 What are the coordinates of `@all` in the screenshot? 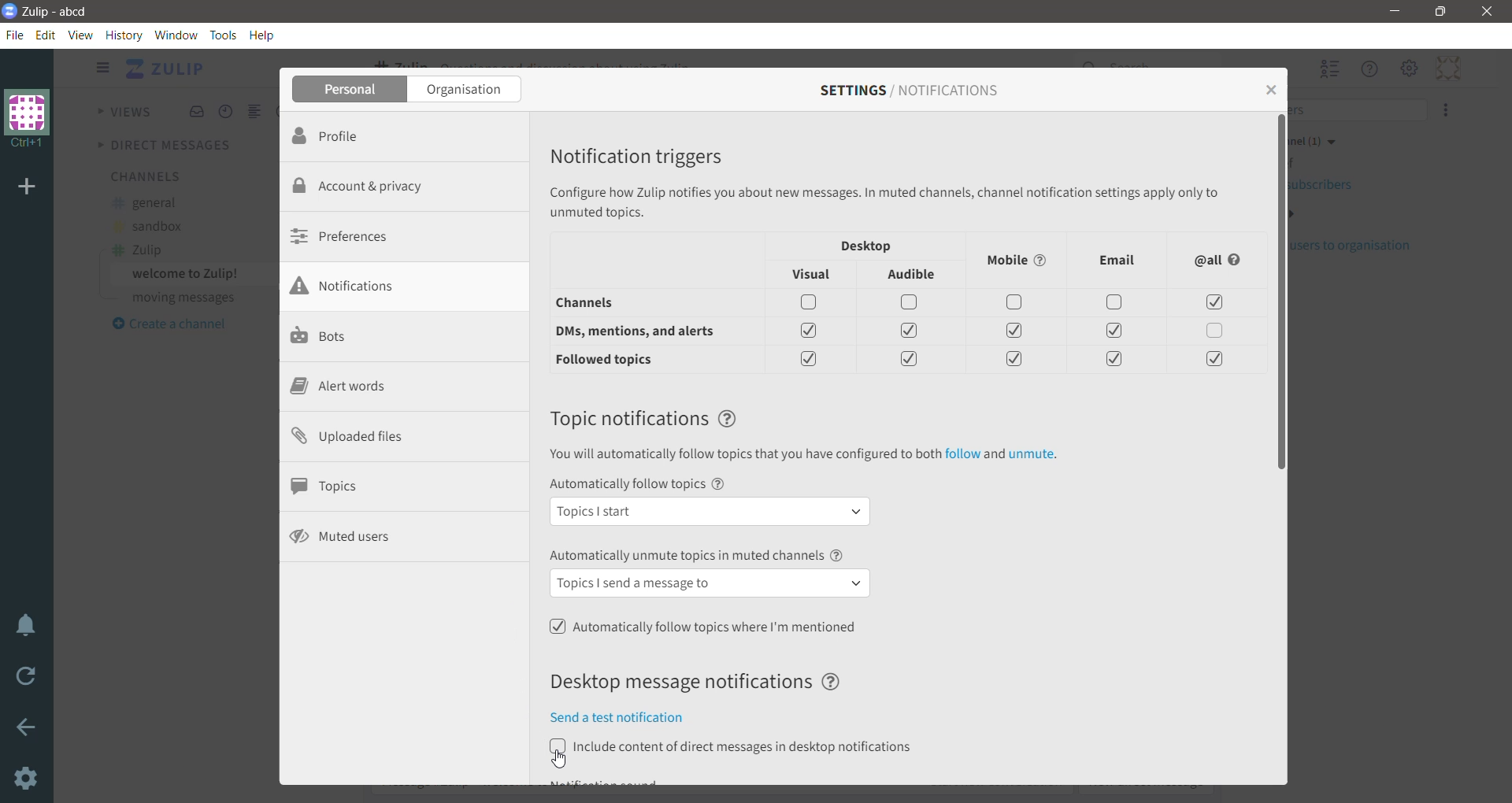 It's located at (1219, 261).